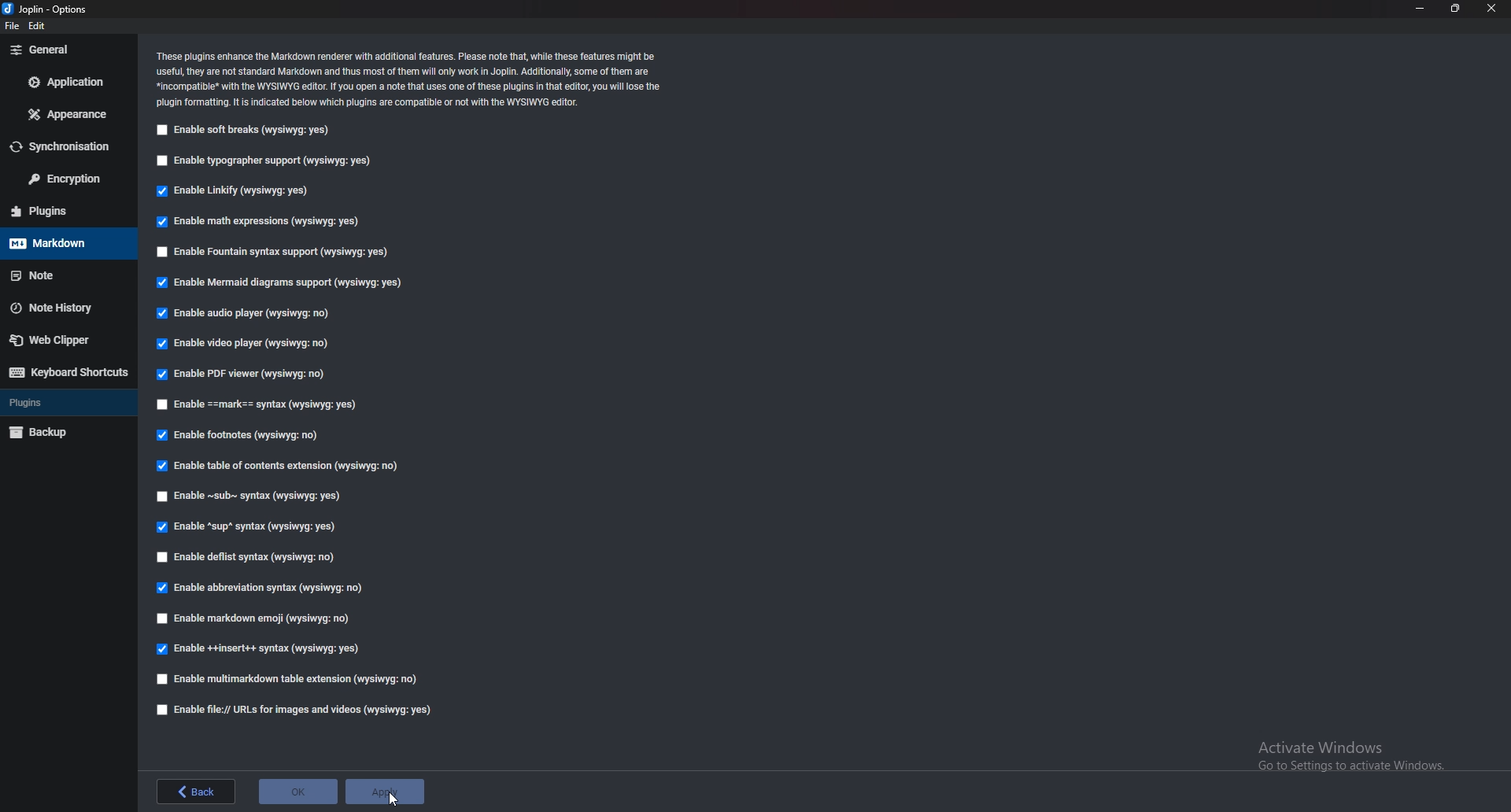 The width and height of the screenshot is (1511, 812). I want to click on ‘These plugins enhance the Markdown renderer with additional features. Please note that, while these features might be
‘useful, they are not standard Markdown and thus most of them will only work in Joplin. Additionally, some of them are
*incompatible* with the WYSIWYG editor. If You open a note that uses one of these plugins in that editor, you wil lose the
‘plugin formatting. It is indicated below which plugins are compatible or not with the WYSIWYG editor., so click(418, 78).